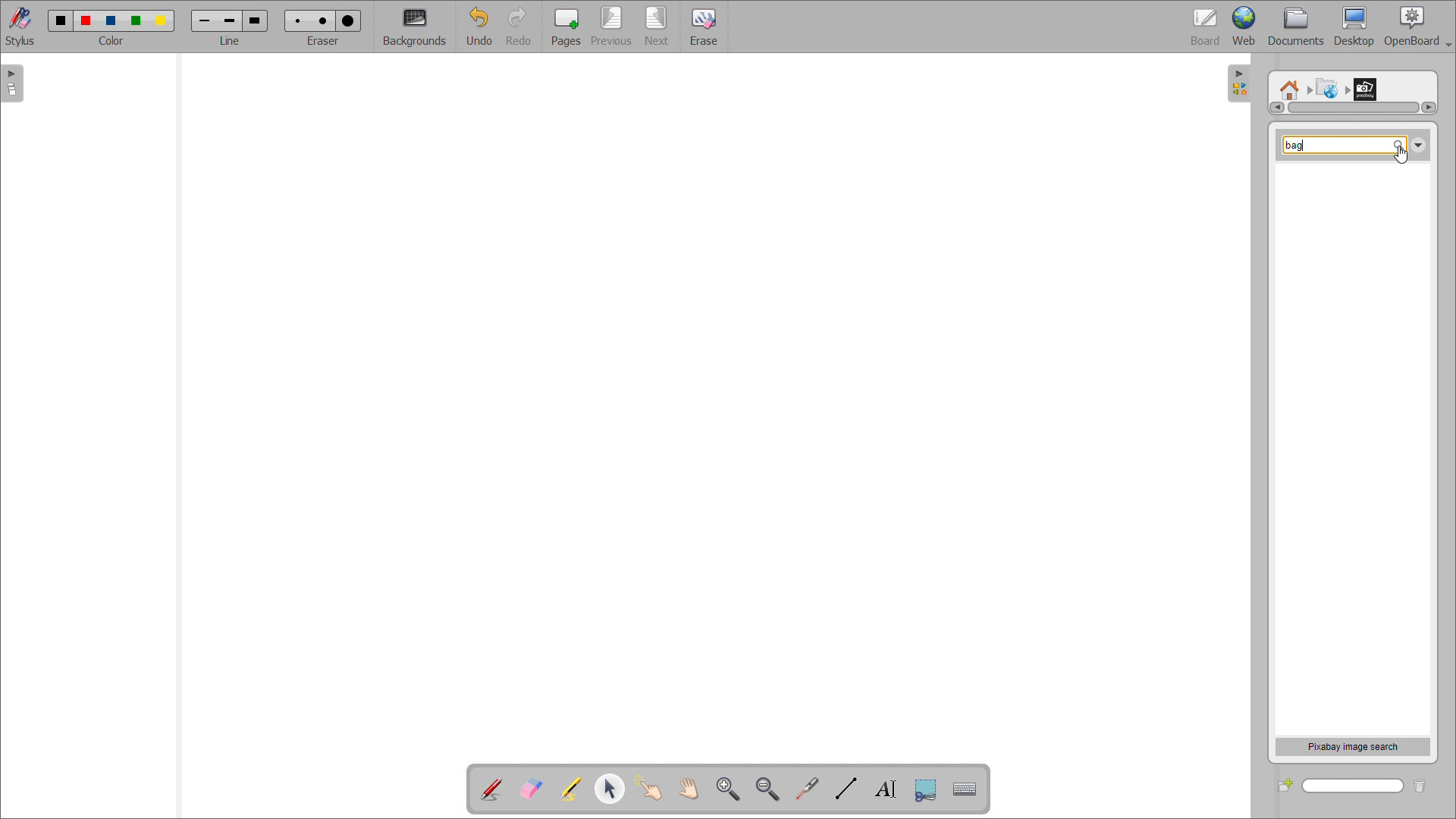  What do you see at coordinates (688, 787) in the screenshot?
I see `scroll page` at bounding box center [688, 787].